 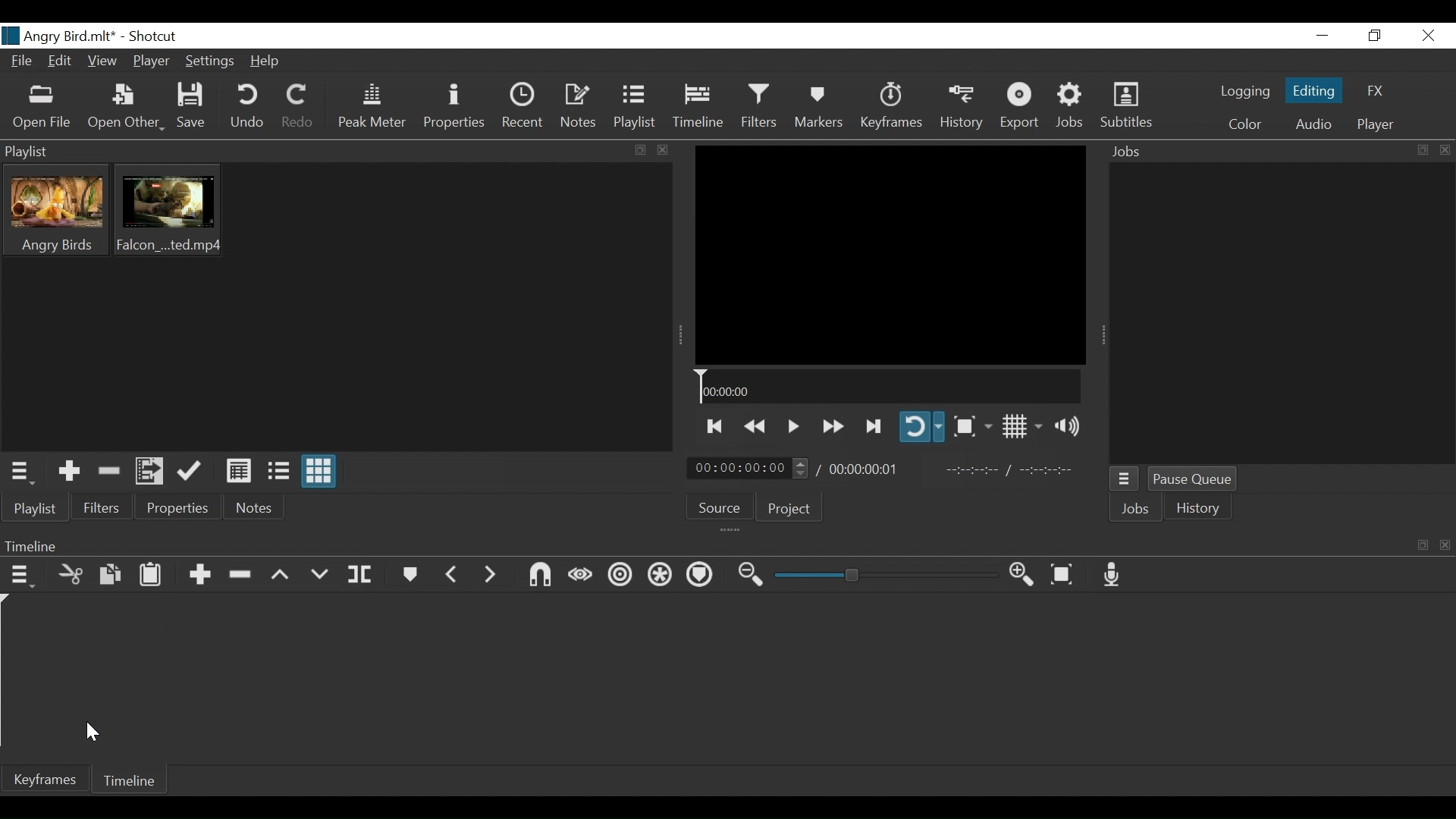 What do you see at coordinates (1423, 150) in the screenshot?
I see `expand` at bounding box center [1423, 150].